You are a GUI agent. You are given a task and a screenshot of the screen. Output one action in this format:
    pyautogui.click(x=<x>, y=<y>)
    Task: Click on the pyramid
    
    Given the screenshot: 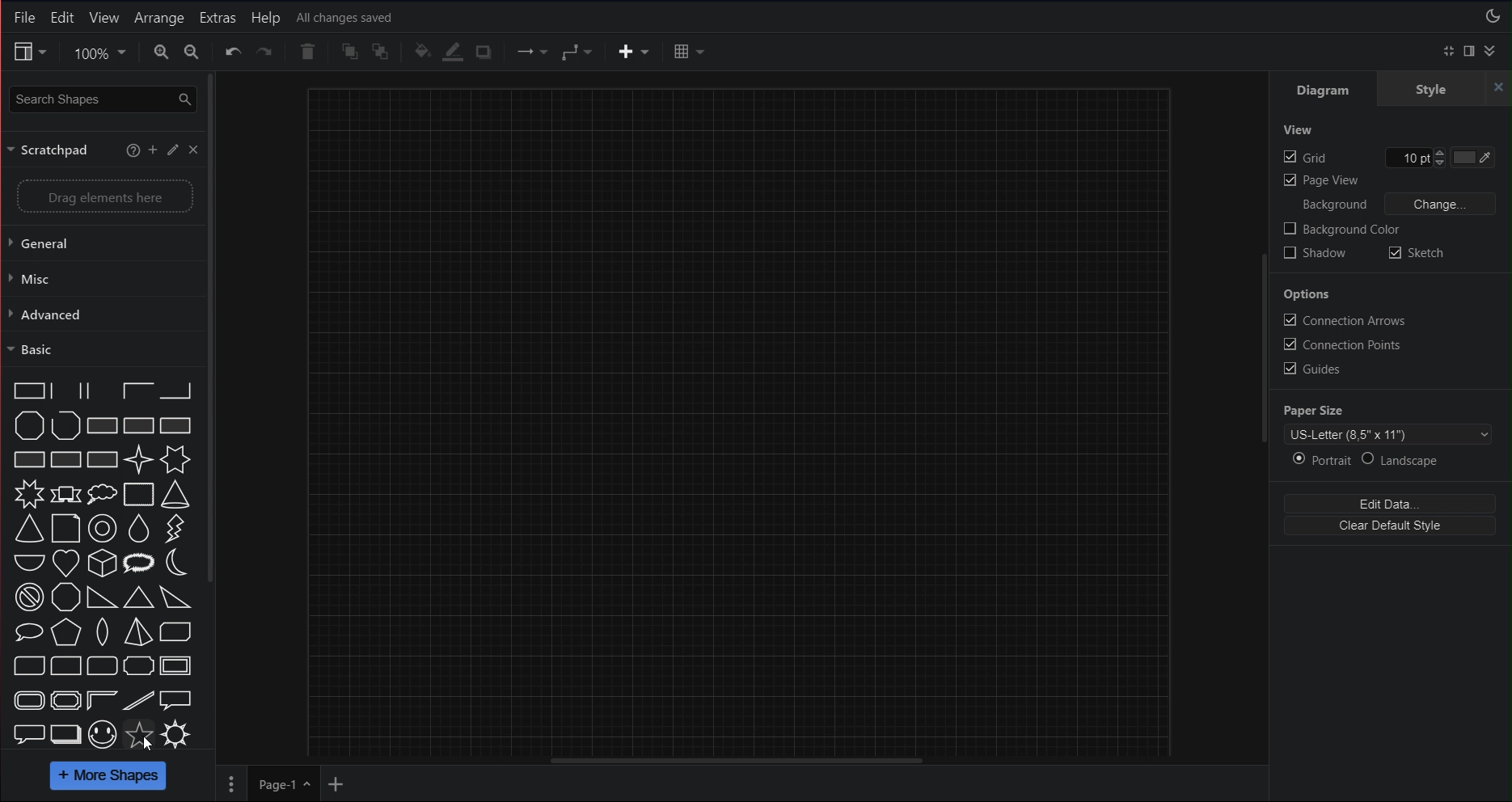 What is the action you would take?
    pyautogui.click(x=137, y=631)
    